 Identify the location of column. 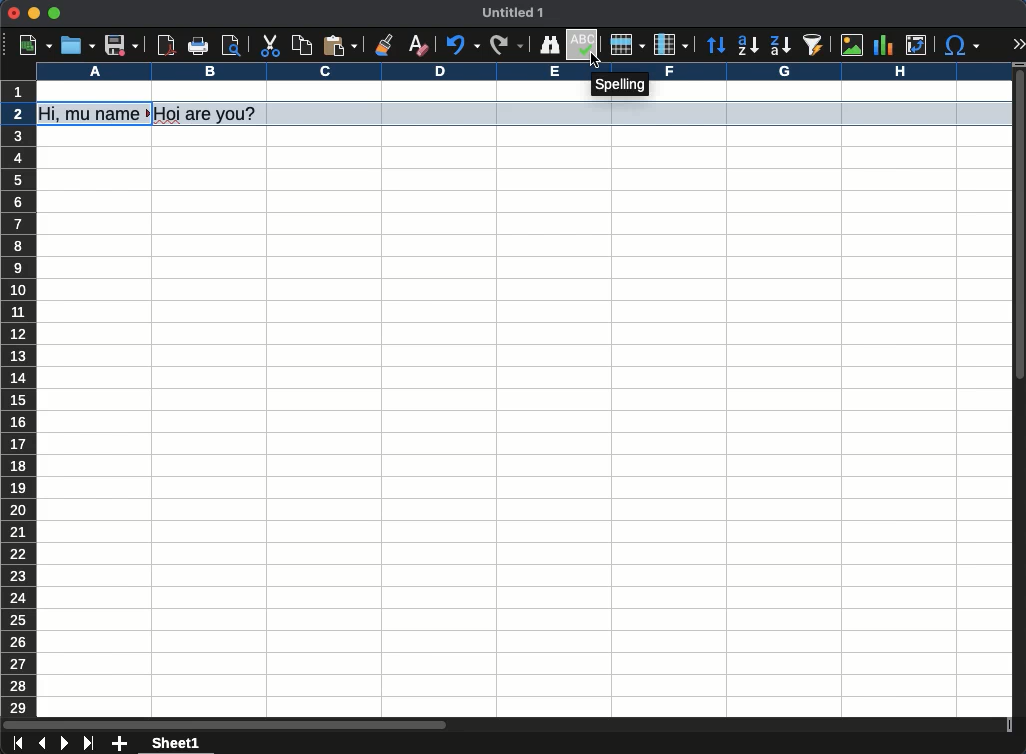
(671, 44).